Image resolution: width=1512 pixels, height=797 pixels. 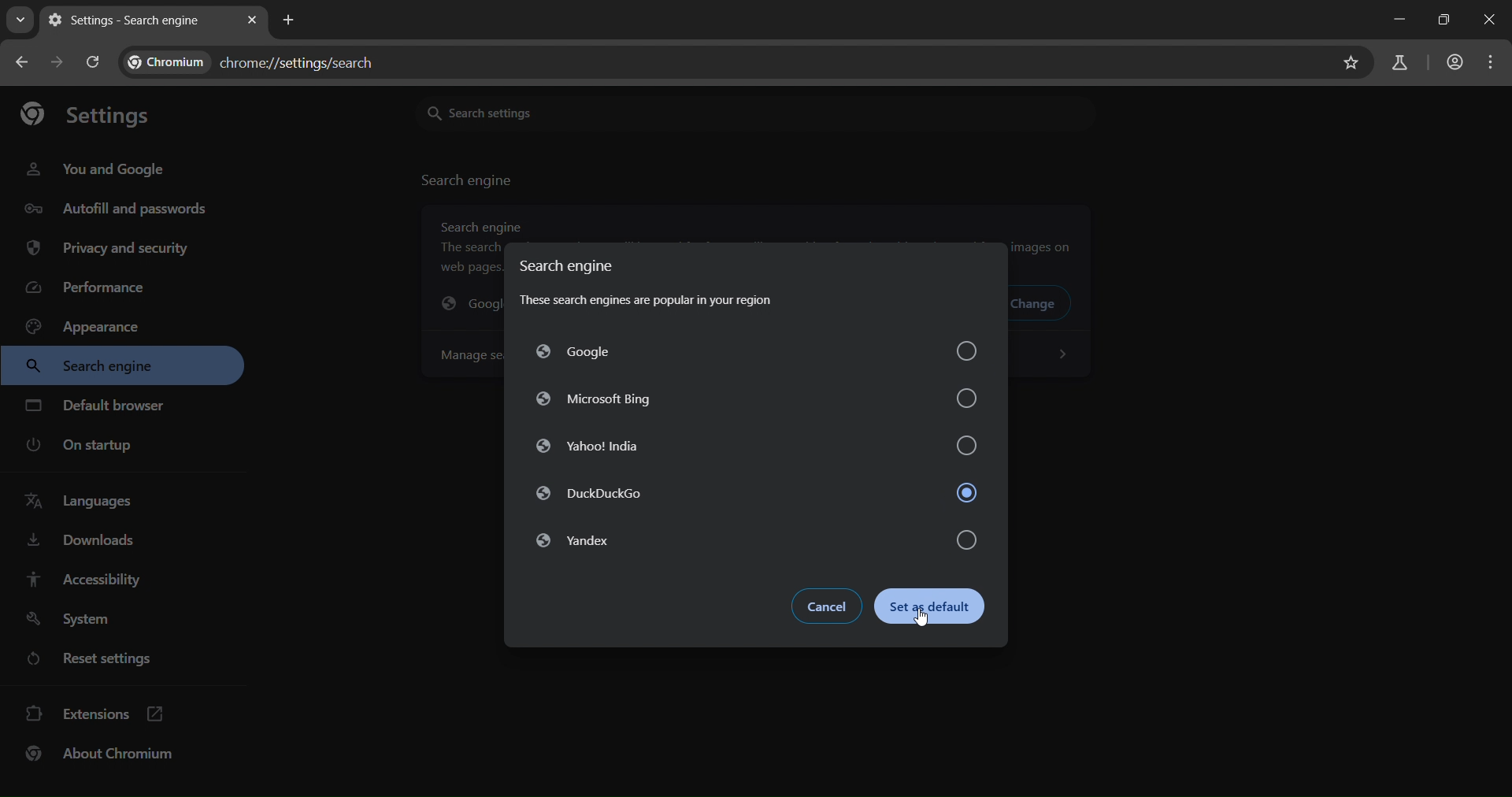 What do you see at coordinates (1492, 63) in the screenshot?
I see `menu` at bounding box center [1492, 63].